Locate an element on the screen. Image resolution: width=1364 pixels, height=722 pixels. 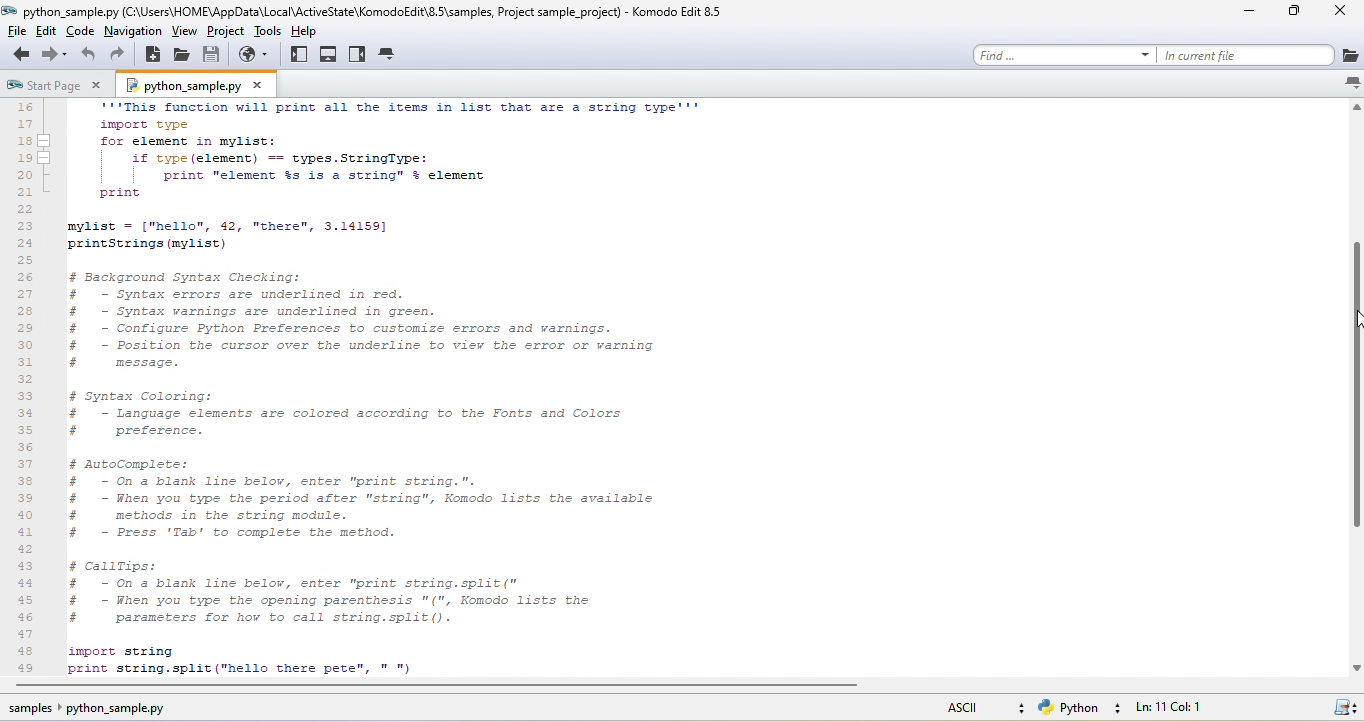
project is located at coordinates (226, 31).